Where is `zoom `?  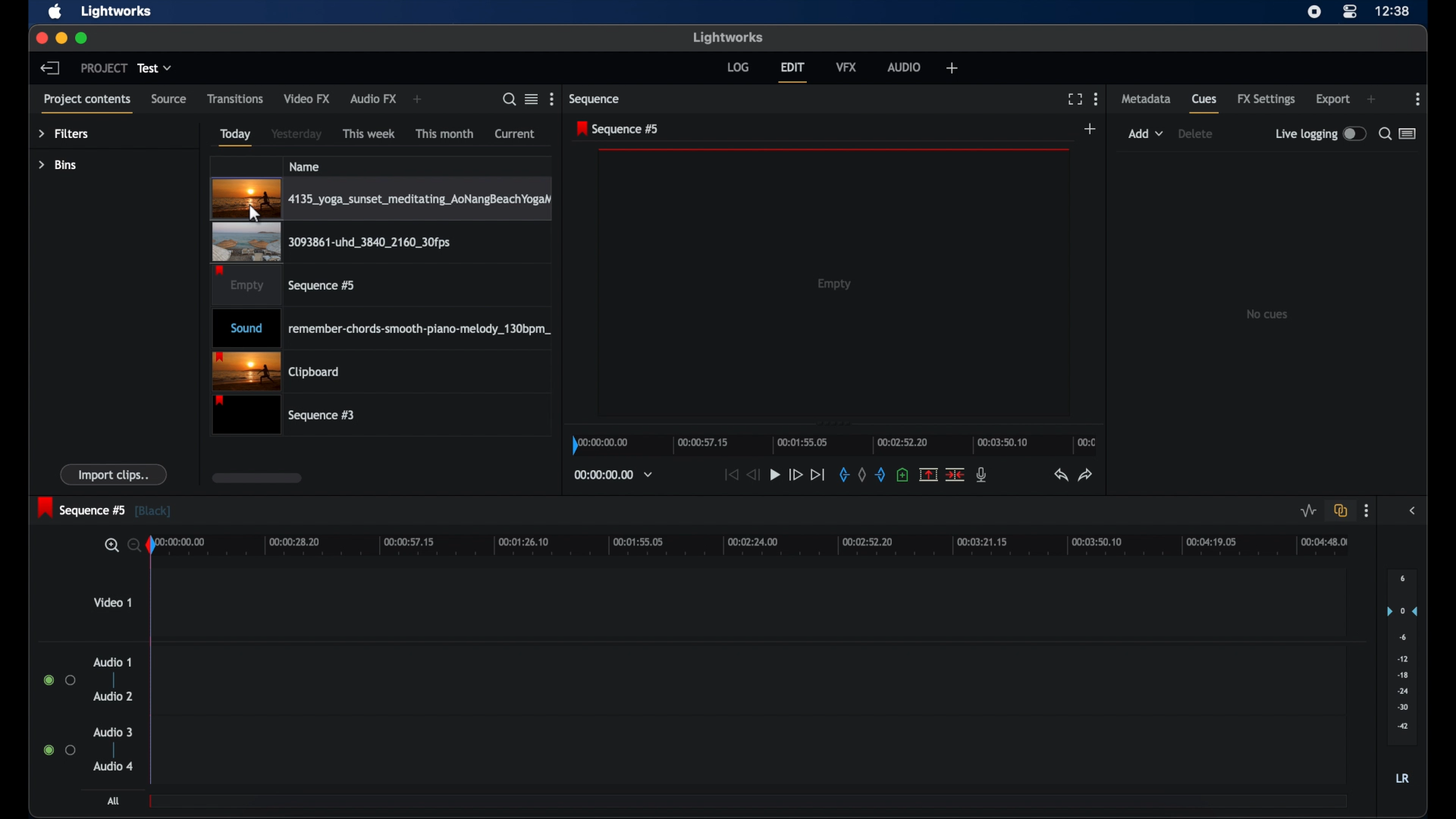
zoom  is located at coordinates (118, 544).